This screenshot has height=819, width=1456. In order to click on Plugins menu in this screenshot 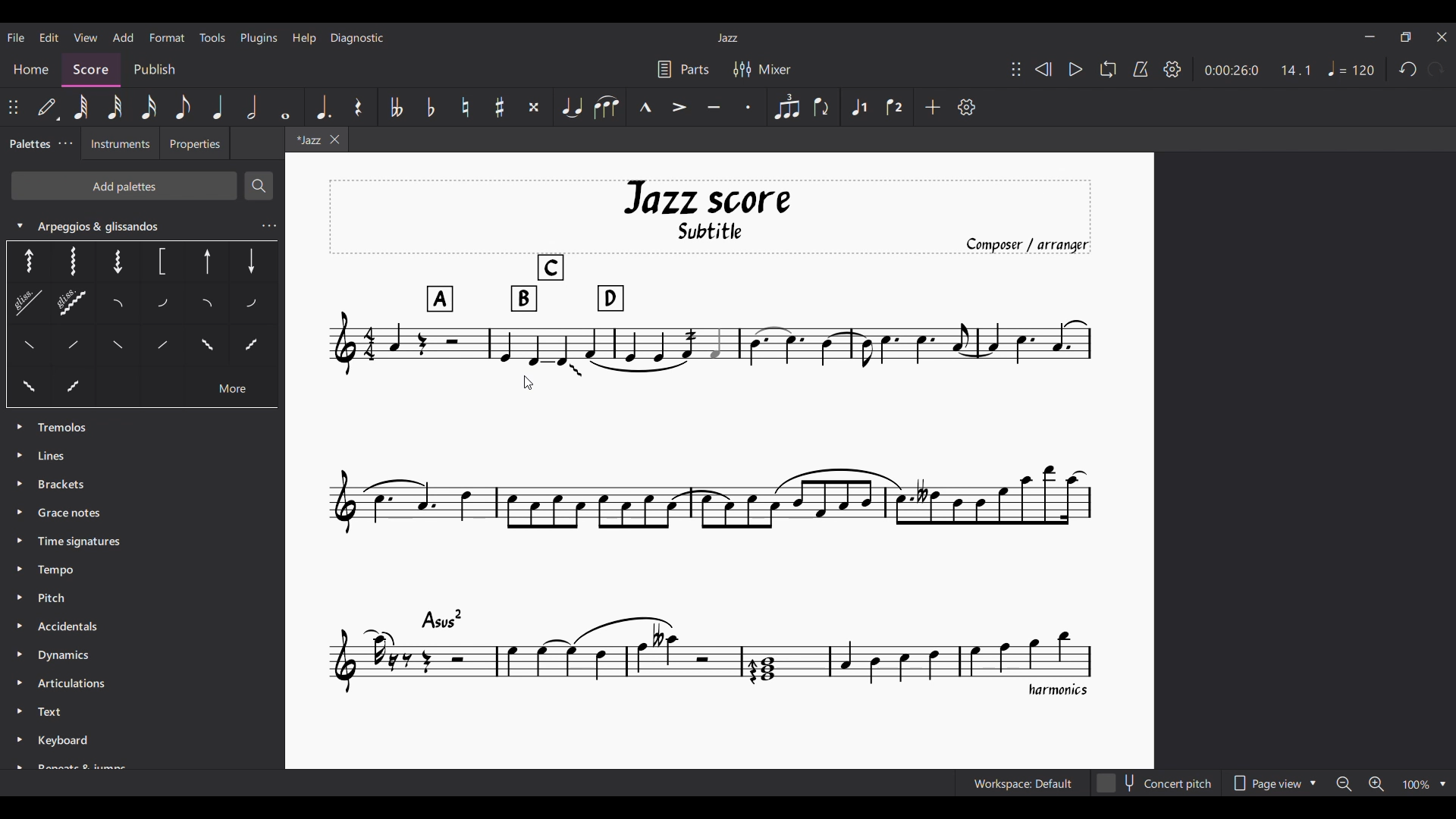, I will do `click(259, 39)`.